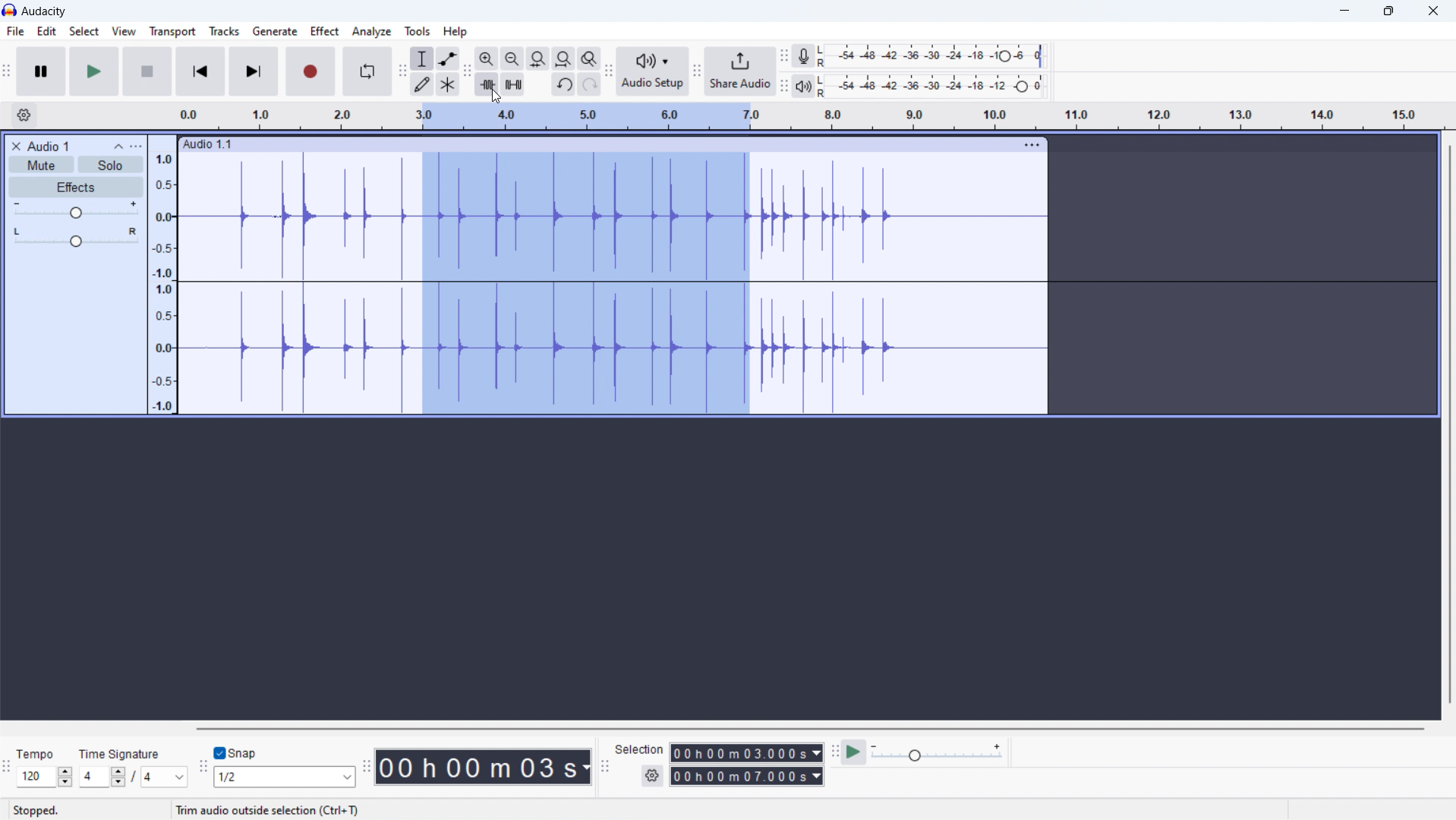 The height and width of the screenshot is (820, 1456). I want to click on tracks, so click(224, 31).